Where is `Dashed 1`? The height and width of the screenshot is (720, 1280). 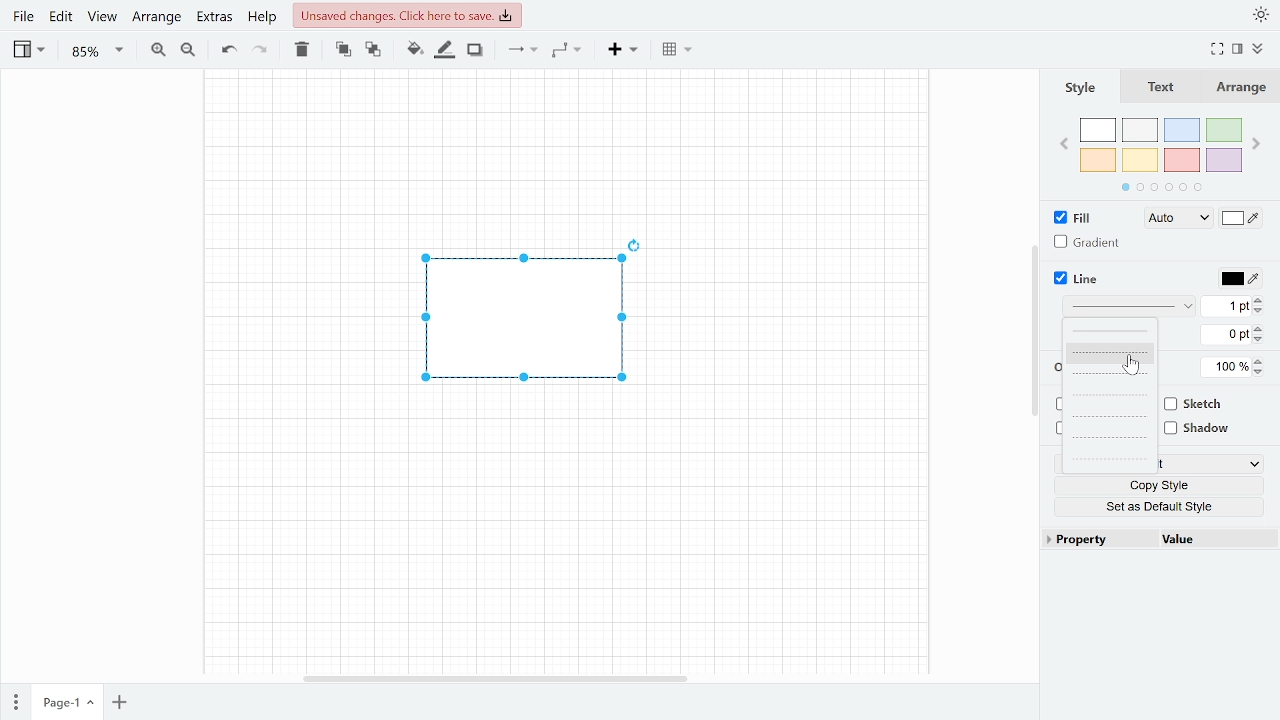 Dashed 1 is located at coordinates (1107, 353).